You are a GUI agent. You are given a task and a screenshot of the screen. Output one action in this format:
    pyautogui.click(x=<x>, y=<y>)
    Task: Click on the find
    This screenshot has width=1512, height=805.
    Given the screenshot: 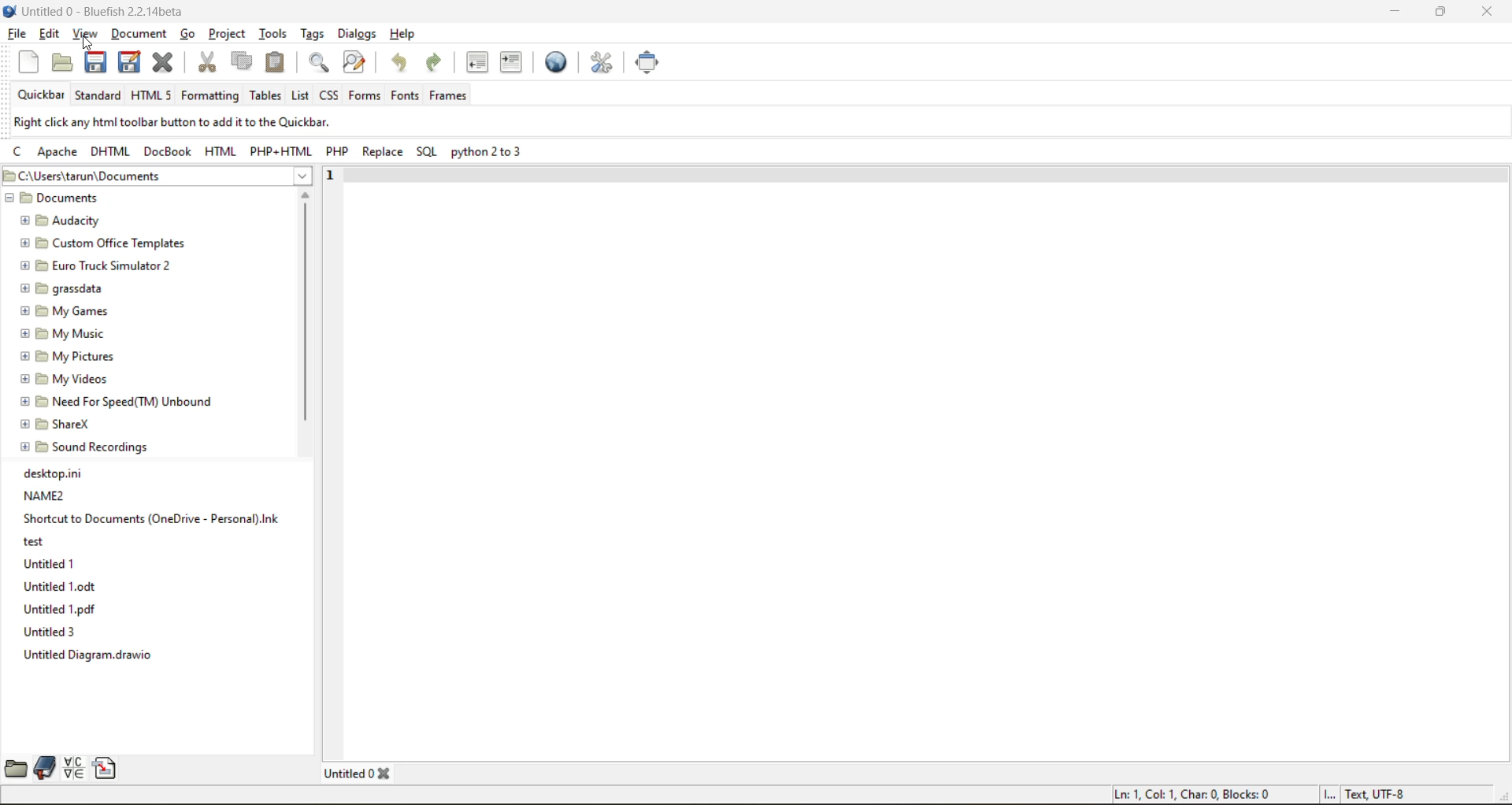 What is the action you would take?
    pyautogui.click(x=321, y=65)
    